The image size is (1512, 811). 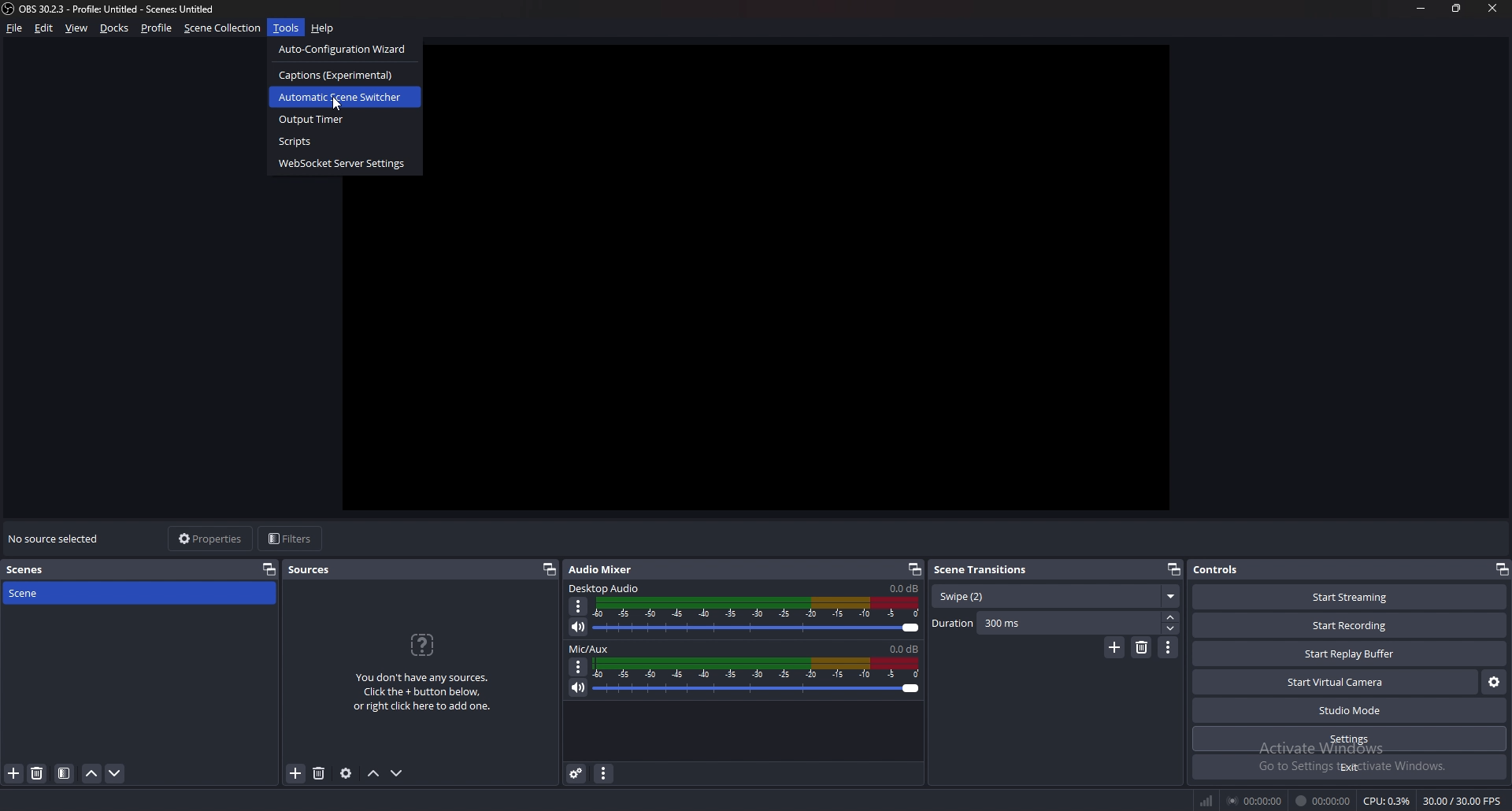 I want to click on audio mixer, so click(x=600, y=568).